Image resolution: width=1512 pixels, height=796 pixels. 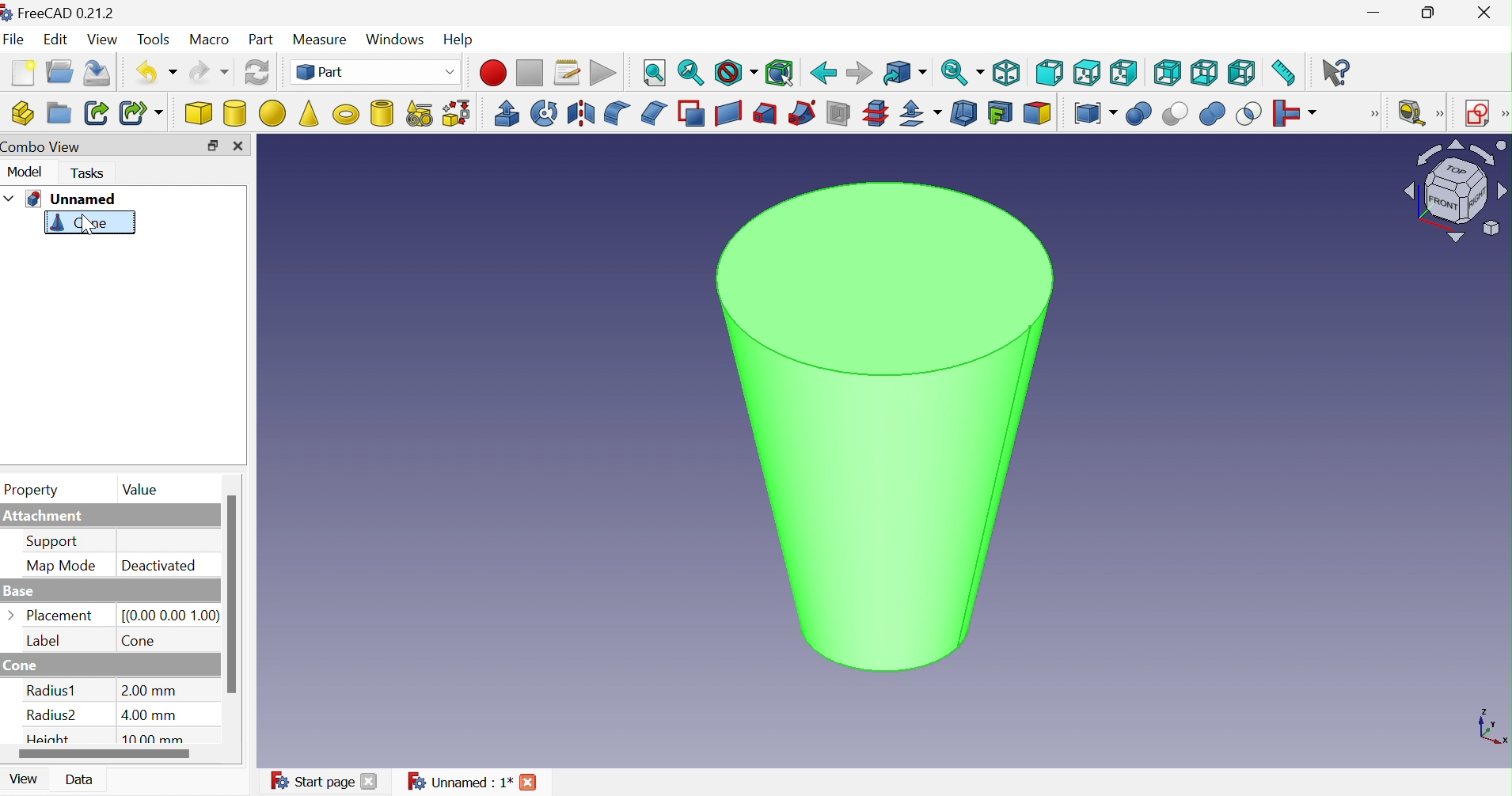 I want to click on Part, so click(x=261, y=40).